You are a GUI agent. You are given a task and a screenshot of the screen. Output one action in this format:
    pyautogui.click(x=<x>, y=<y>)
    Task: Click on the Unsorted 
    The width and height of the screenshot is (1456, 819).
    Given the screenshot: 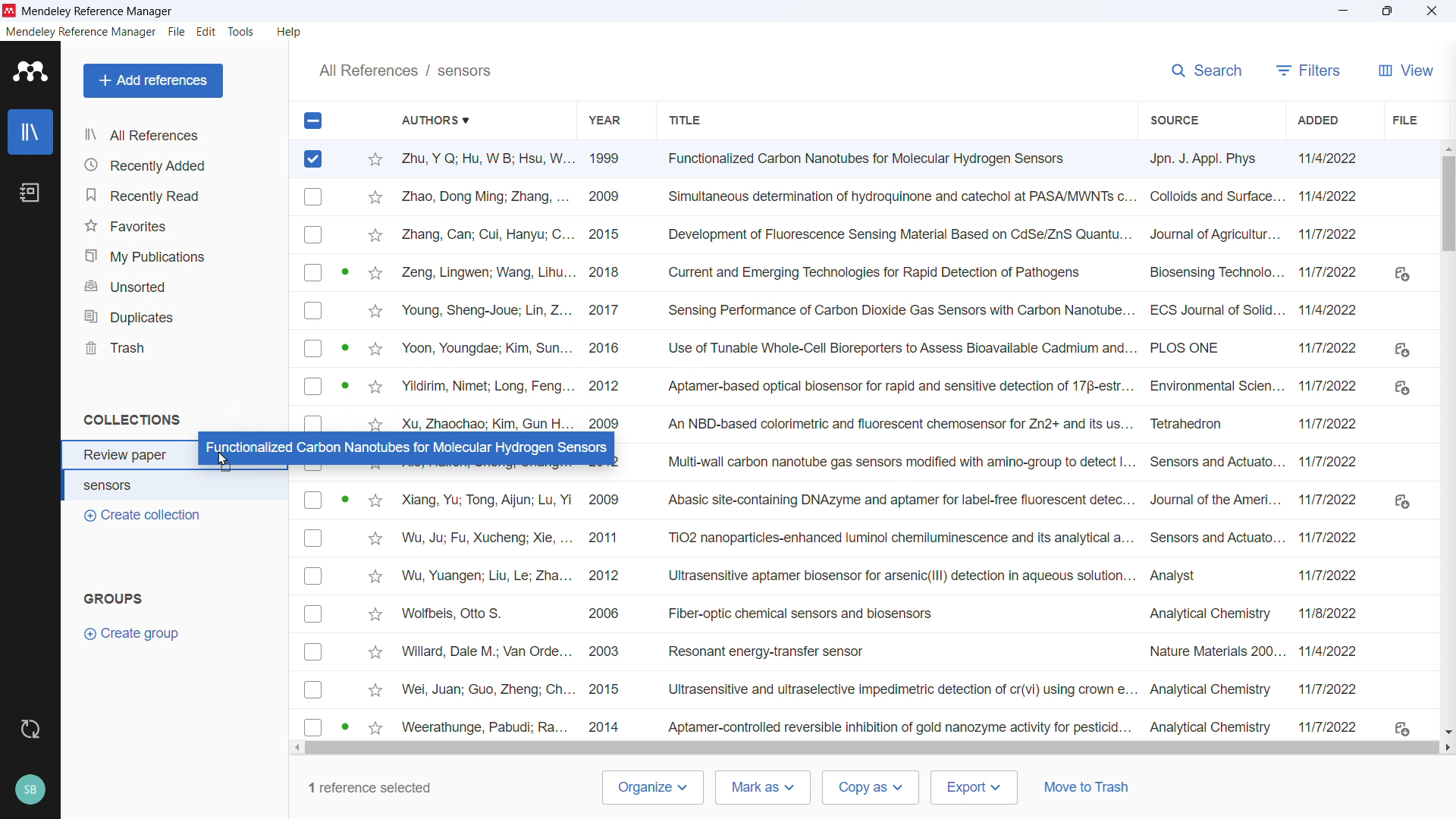 What is the action you would take?
    pyautogui.click(x=178, y=287)
    